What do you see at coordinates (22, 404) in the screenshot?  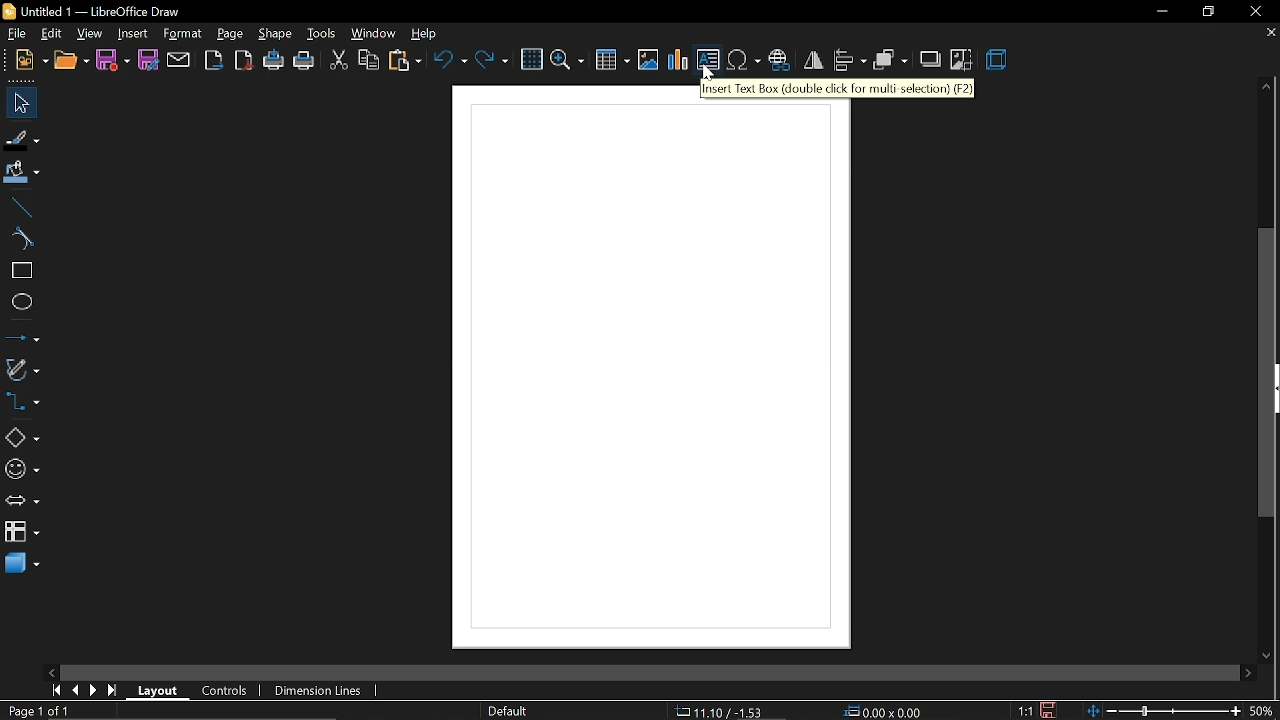 I see `connector` at bounding box center [22, 404].